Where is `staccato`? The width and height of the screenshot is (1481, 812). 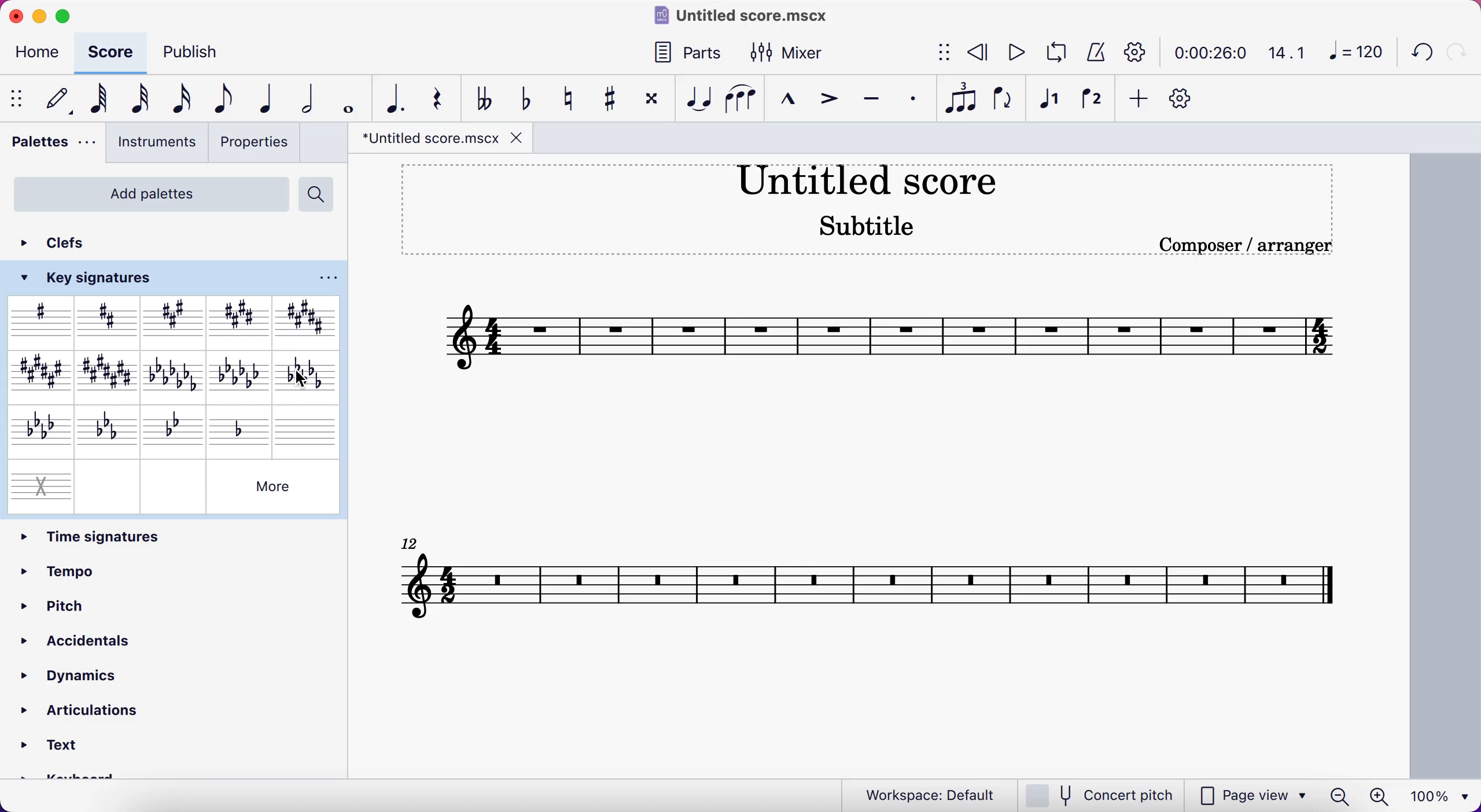 staccato is located at coordinates (918, 99).